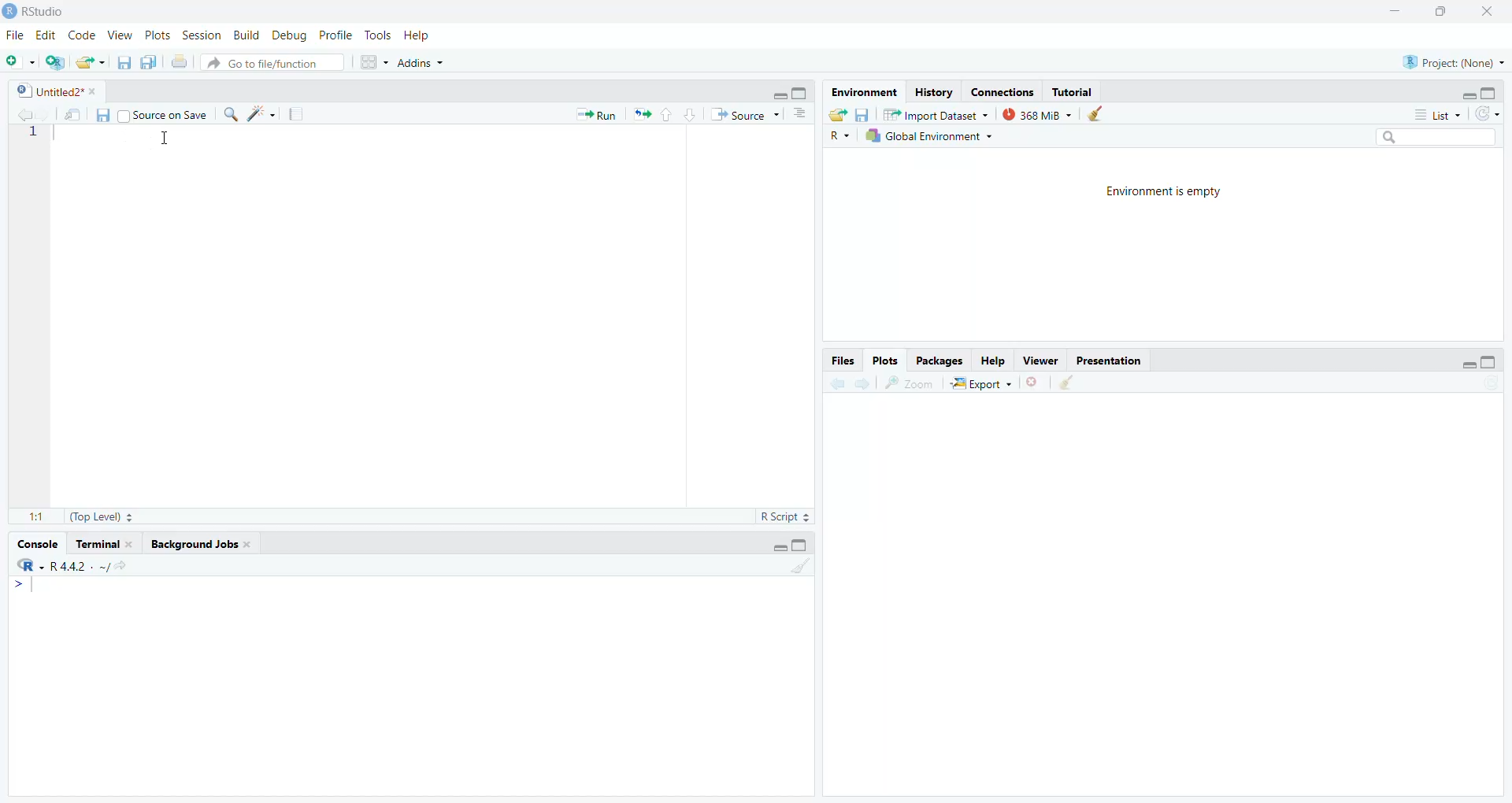 The image size is (1512, 803). Describe the element at coordinates (984, 385) in the screenshot. I see `Export` at that location.